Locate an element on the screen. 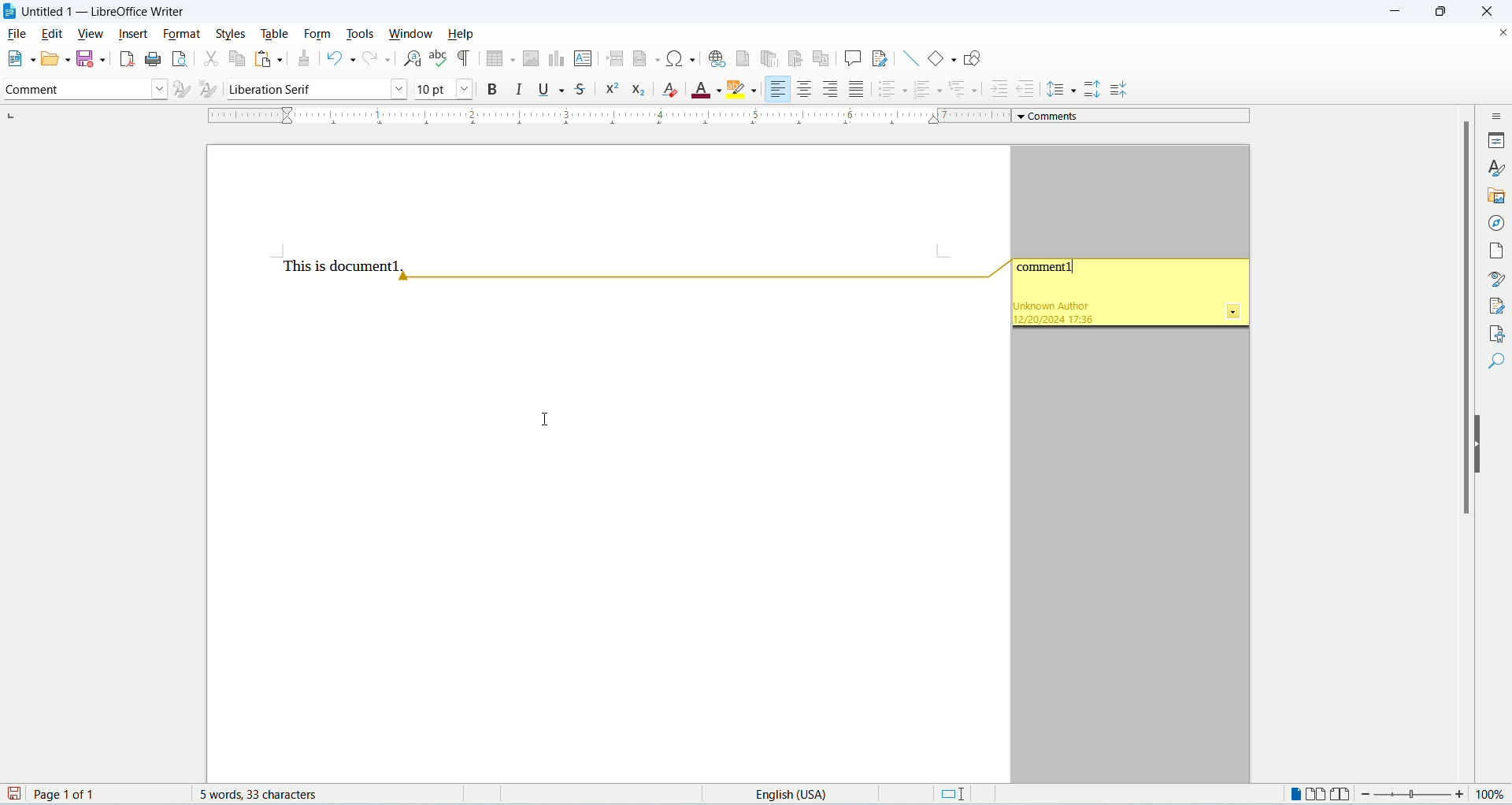 The width and height of the screenshot is (1512, 805). set line spacing is located at coordinates (1062, 87).